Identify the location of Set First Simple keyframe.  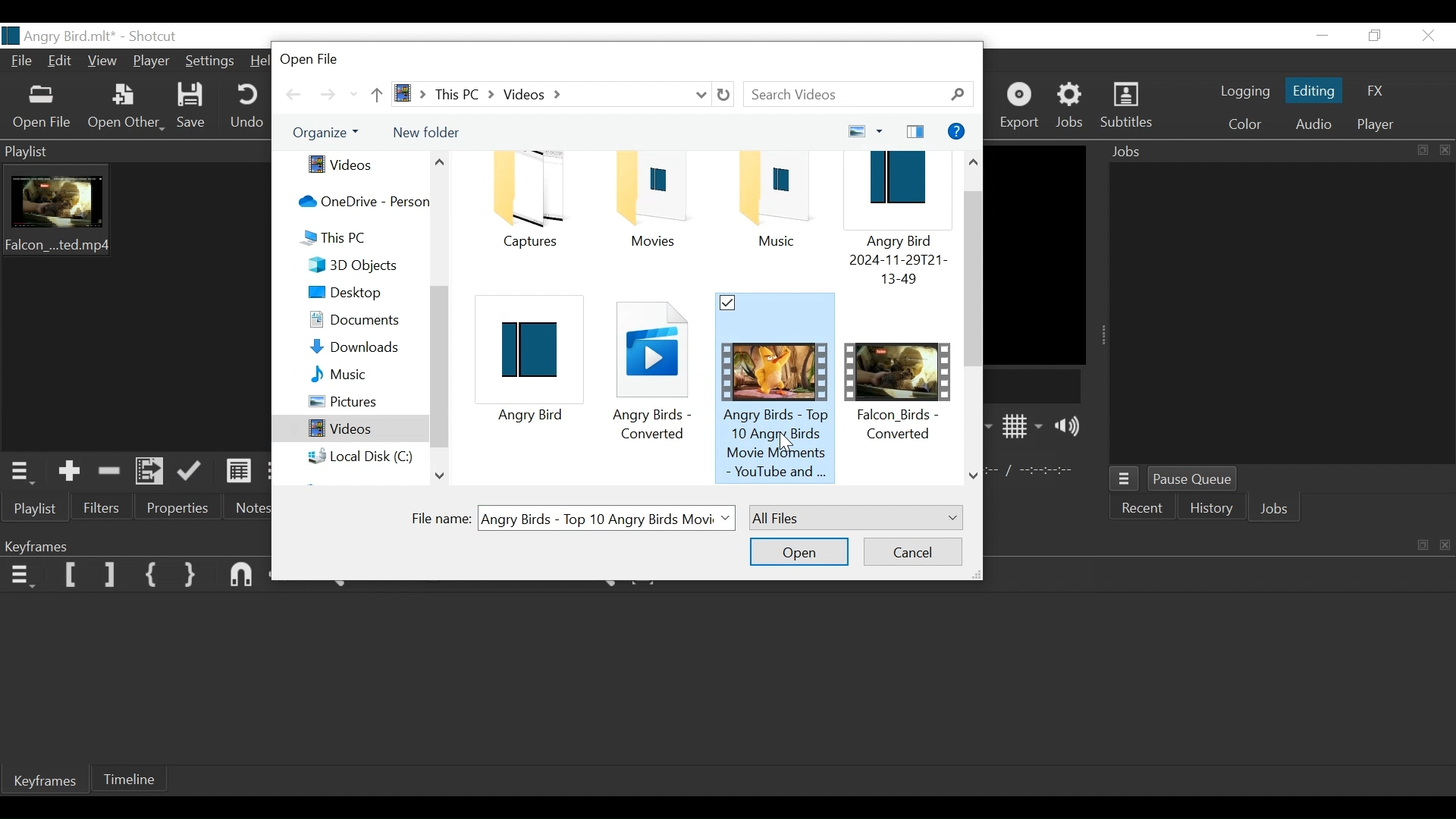
(152, 574).